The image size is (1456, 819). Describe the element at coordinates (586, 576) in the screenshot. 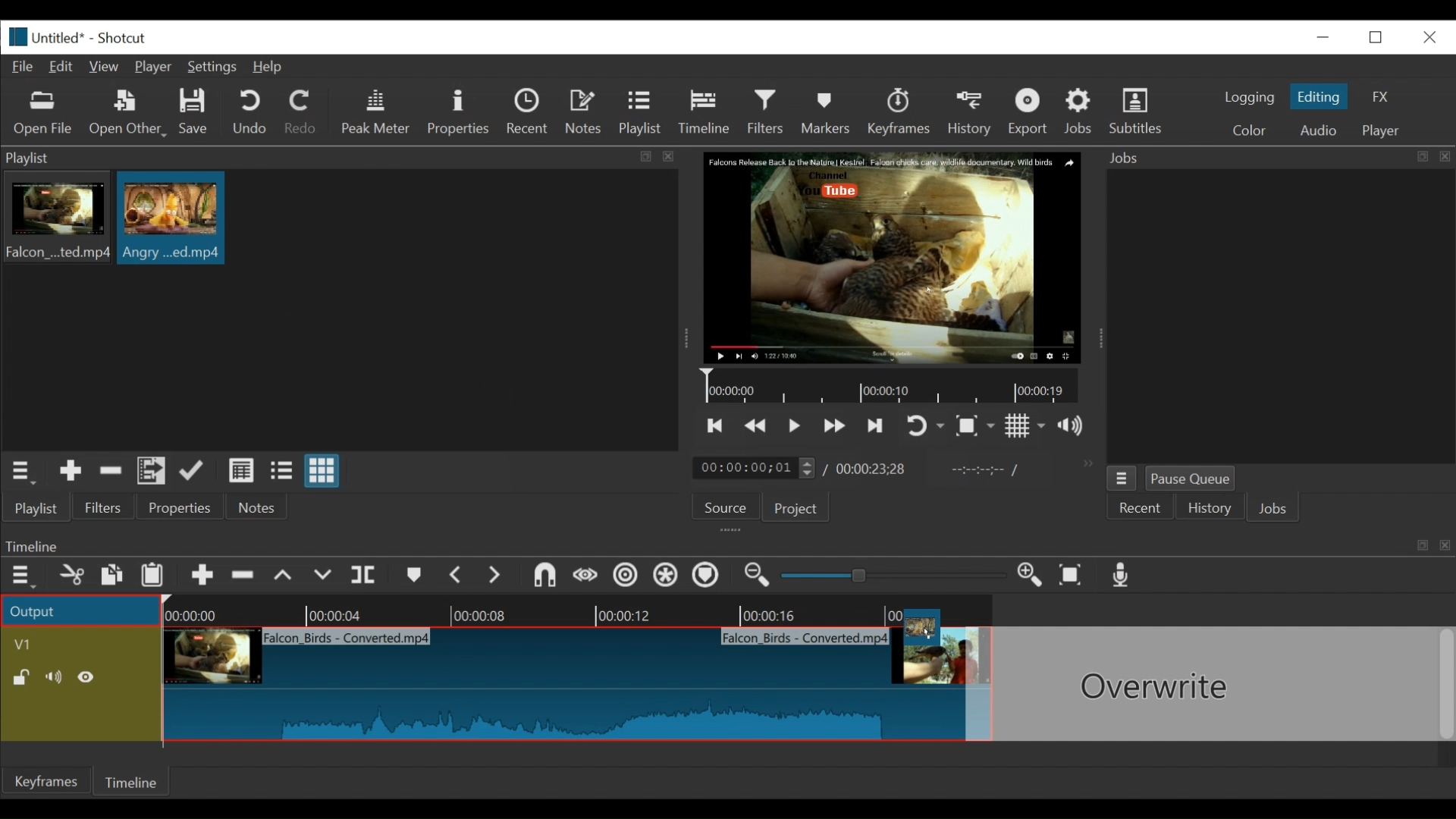

I see `scrub while dragging` at that location.